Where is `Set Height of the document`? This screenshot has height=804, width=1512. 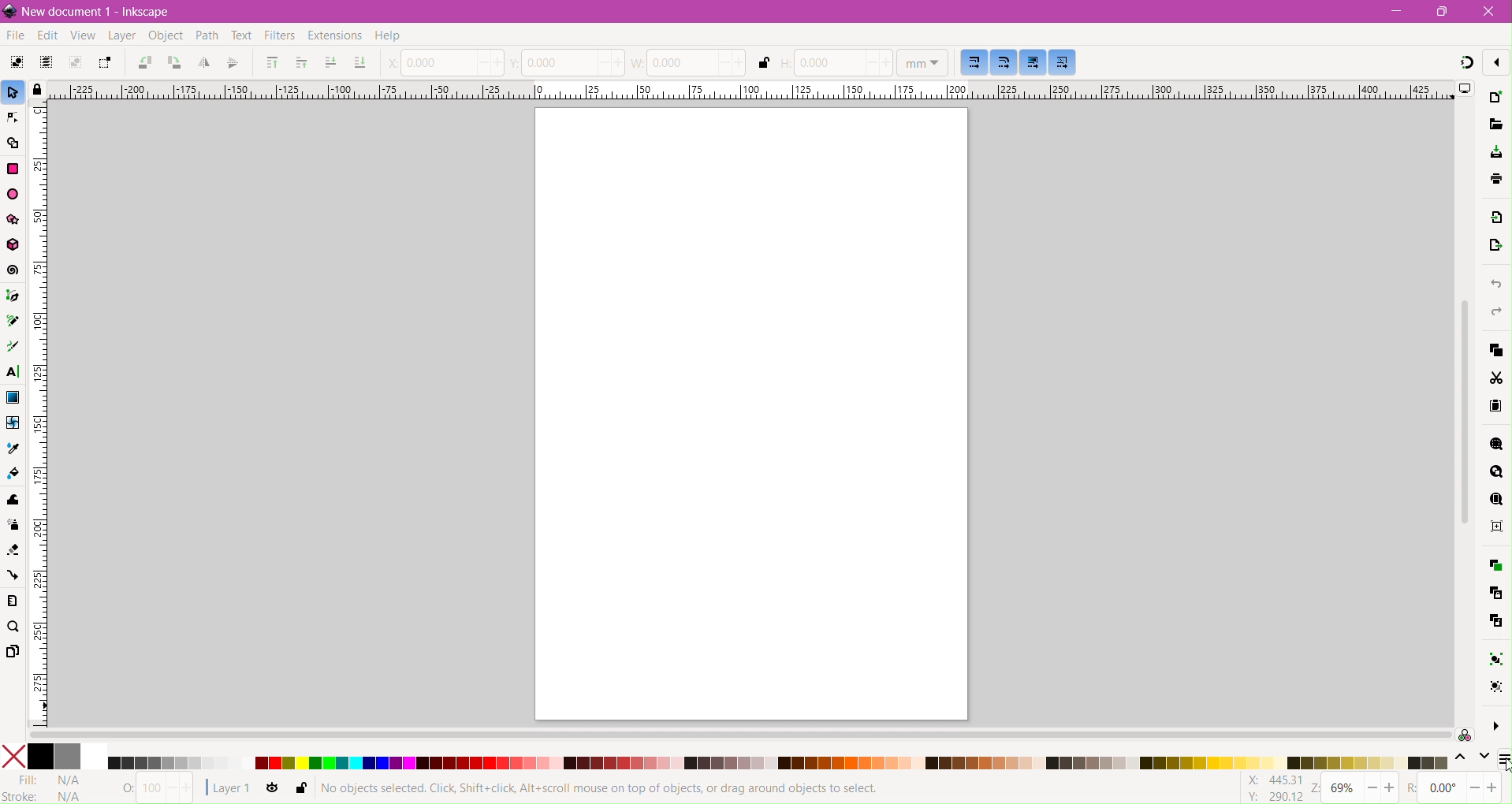 Set Height of the document is located at coordinates (832, 63).